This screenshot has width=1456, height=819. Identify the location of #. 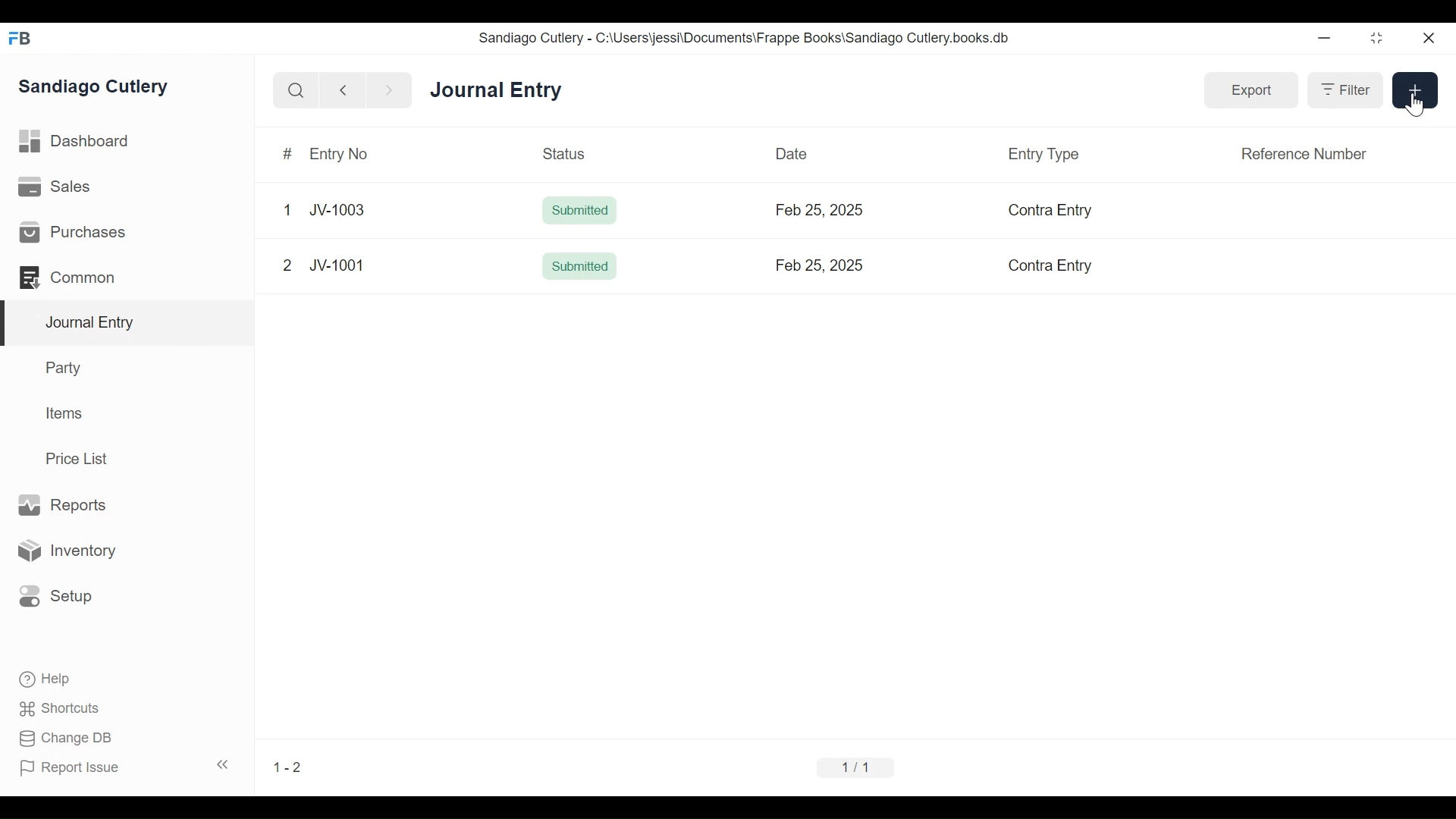
(288, 154).